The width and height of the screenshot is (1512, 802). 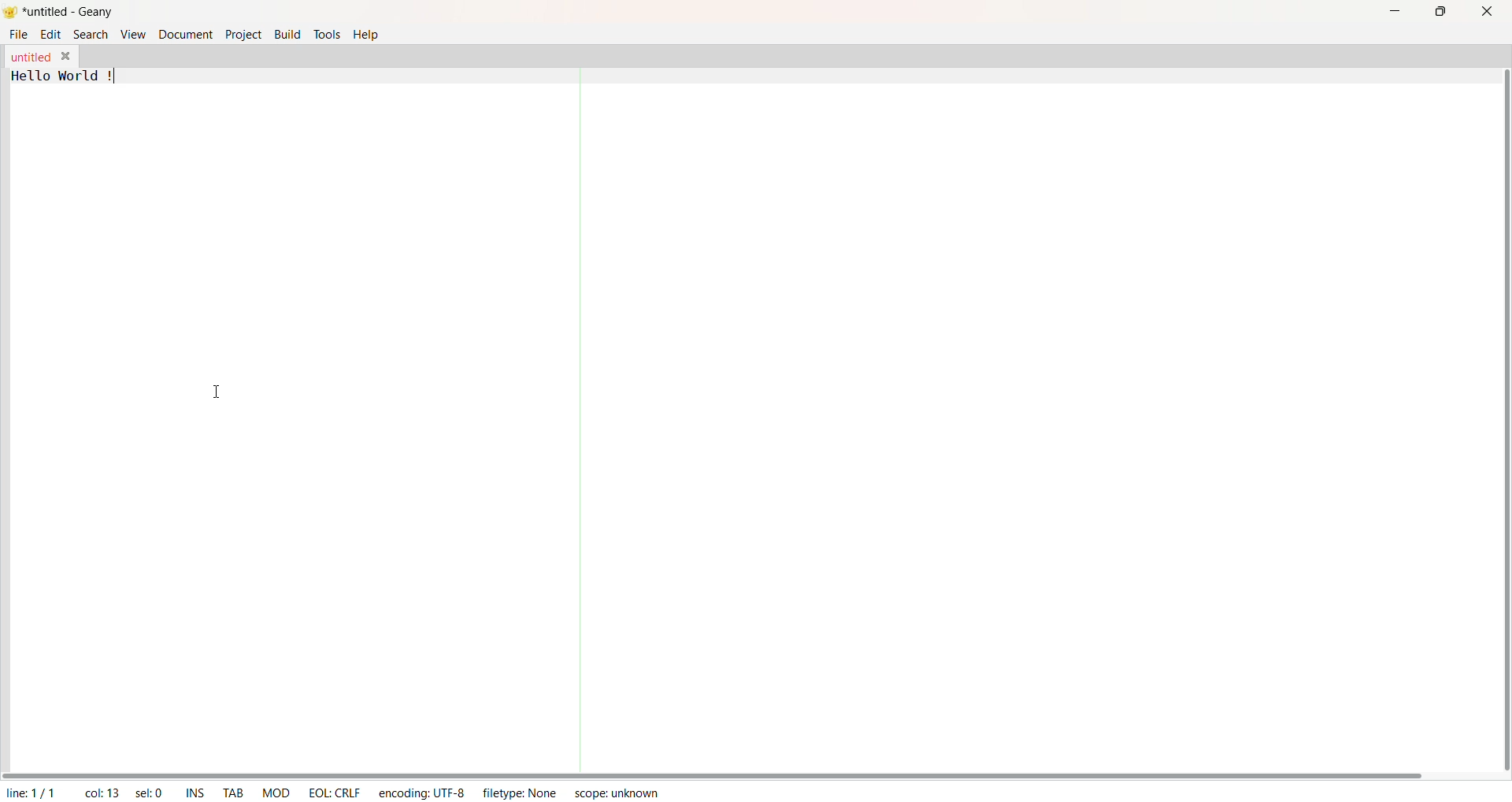 I want to click on Encoding, so click(x=421, y=791).